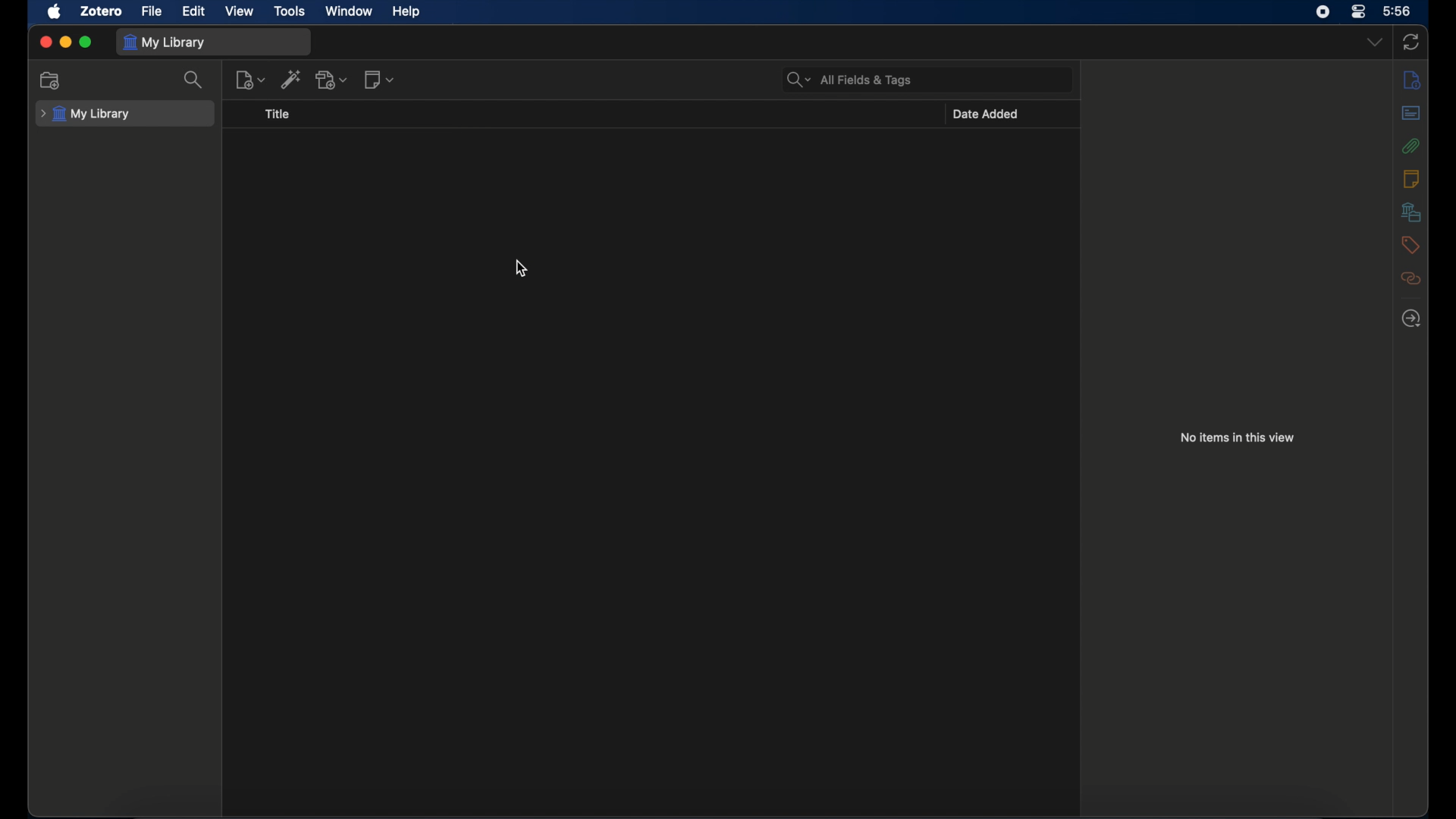 The height and width of the screenshot is (819, 1456). Describe the element at coordinates (1410, 212) in the screenshot. I see `libraries` at that location.